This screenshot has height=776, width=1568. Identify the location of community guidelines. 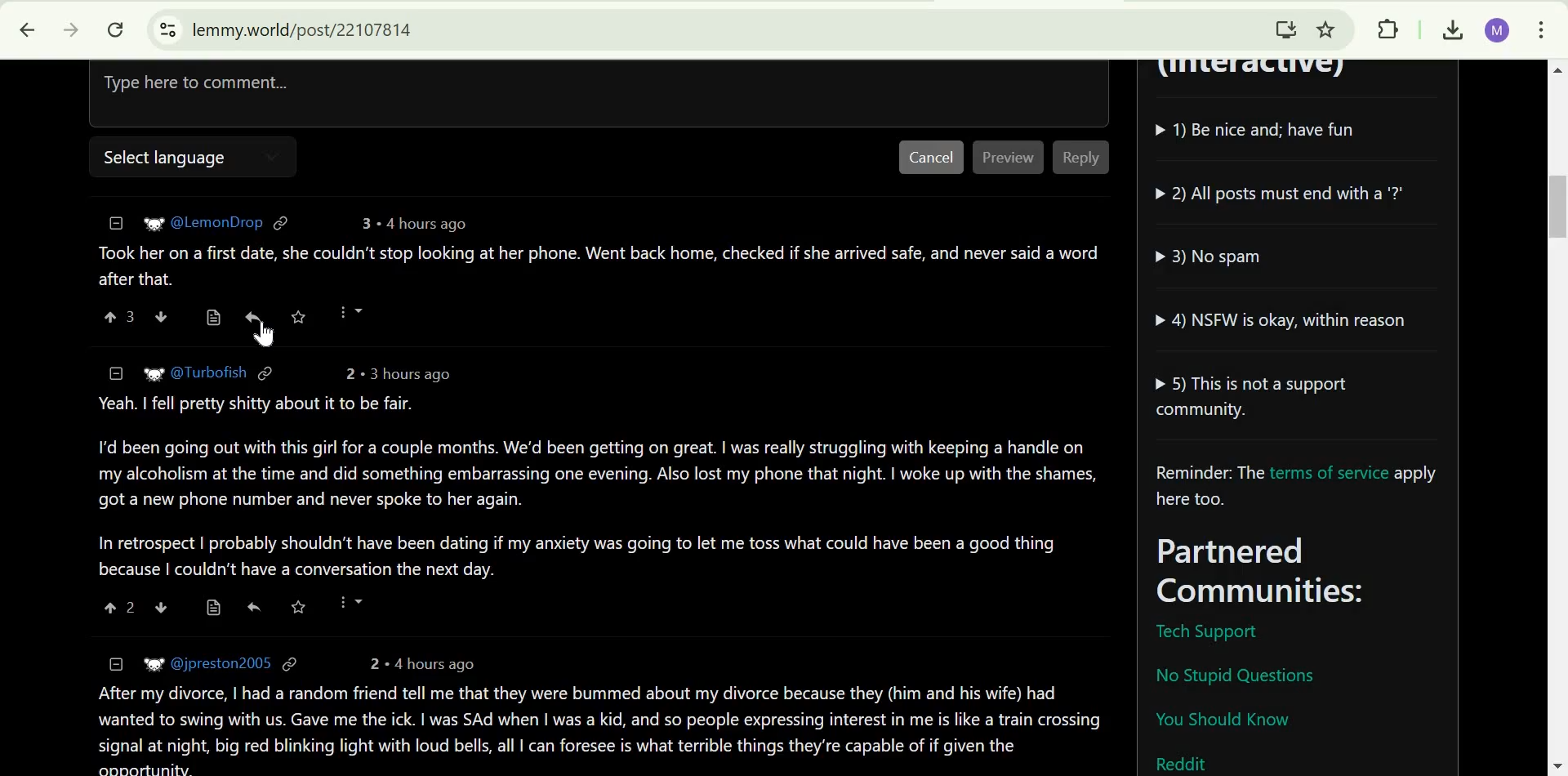
(1288, 272).